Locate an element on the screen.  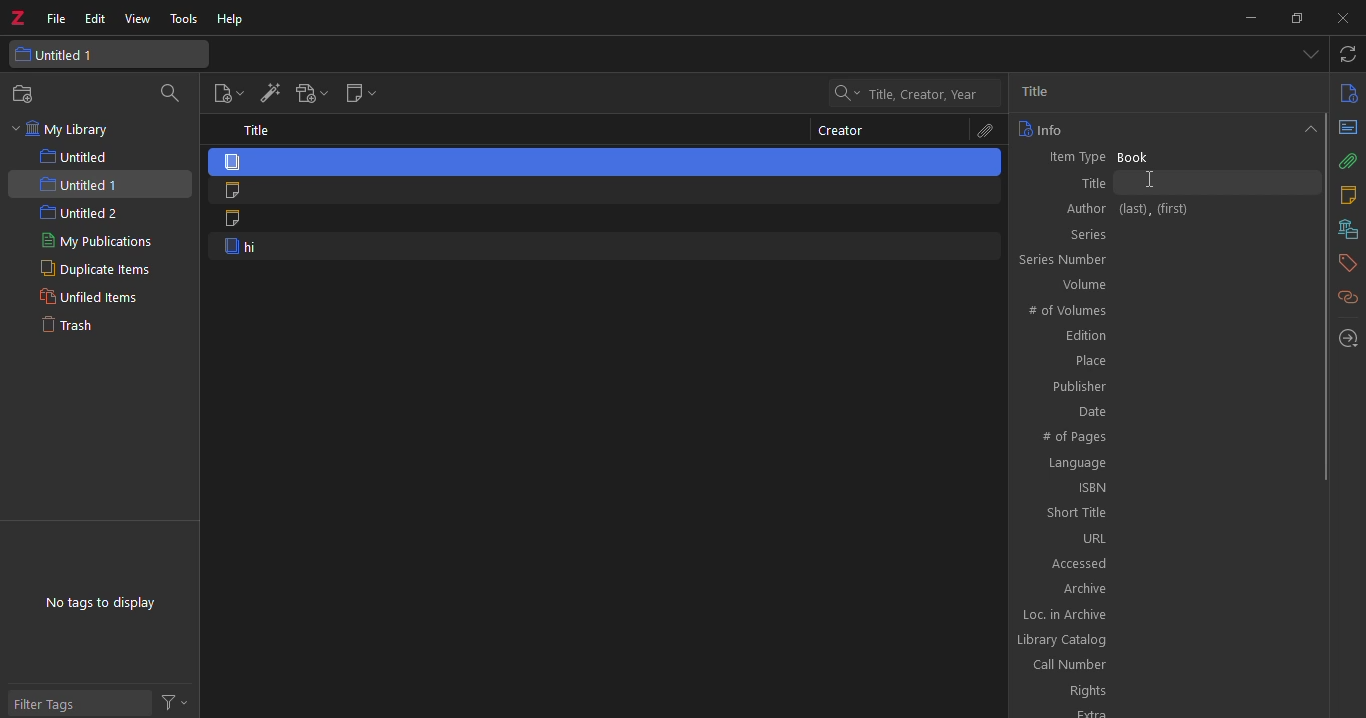
Short title is located at coordinates (1166, 513).